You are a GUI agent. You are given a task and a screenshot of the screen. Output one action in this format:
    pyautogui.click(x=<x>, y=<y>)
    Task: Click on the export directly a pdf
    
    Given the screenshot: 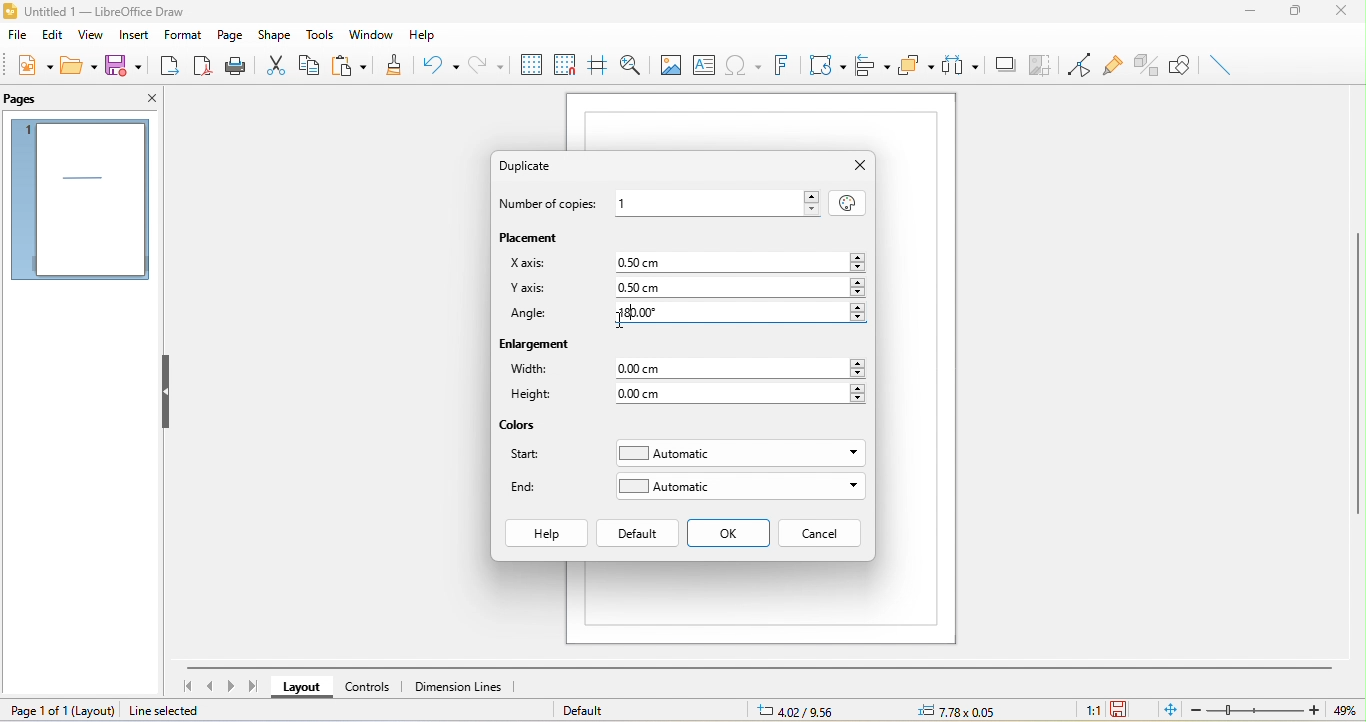 What is the action you would take?
    pyautogui.click(x=203, y=68)
    